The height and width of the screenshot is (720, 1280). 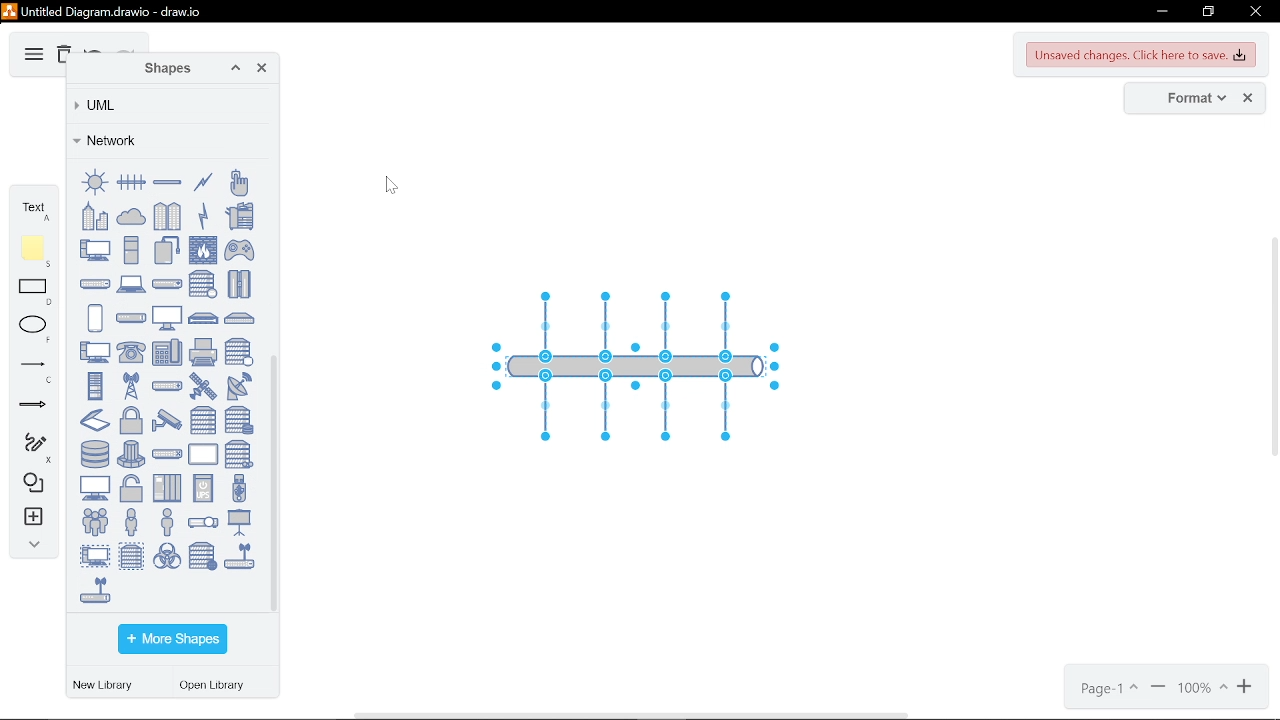 I want to click on format, so click(x=1190, y=99).